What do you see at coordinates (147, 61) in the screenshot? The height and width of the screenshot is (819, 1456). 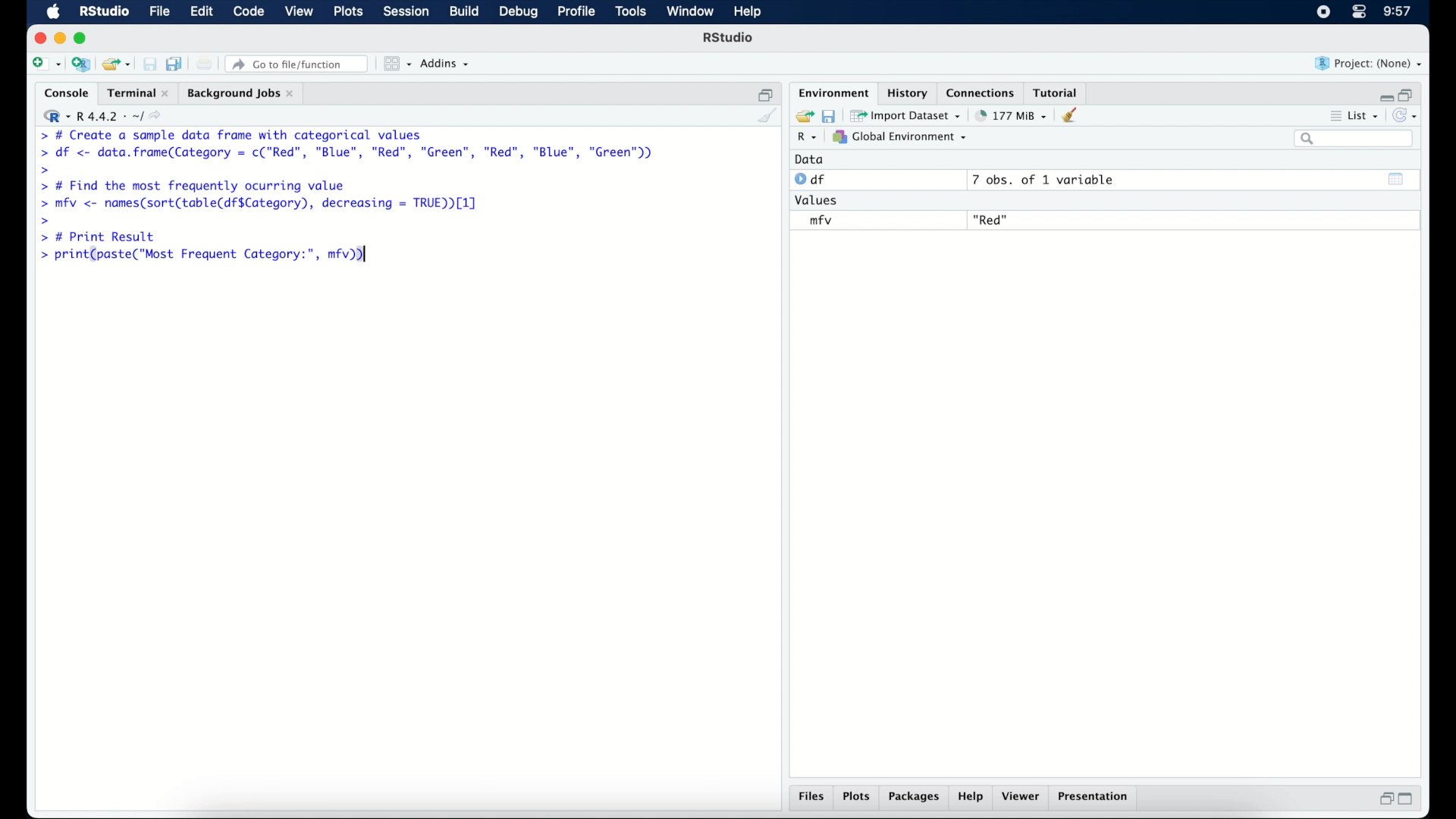 I see `save` at bounding box center [147, 61].